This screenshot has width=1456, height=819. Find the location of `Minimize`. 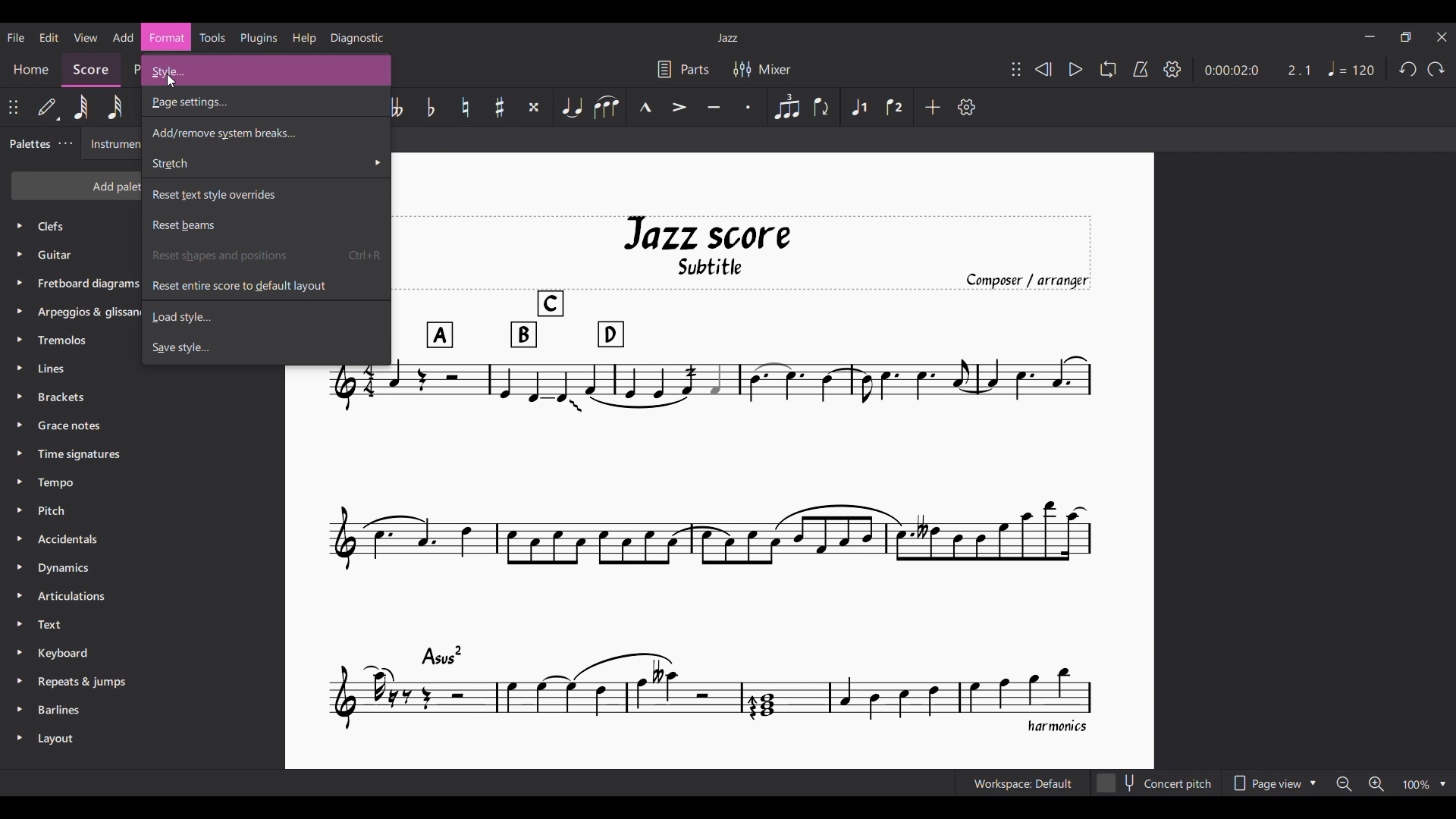

Minimize is located at coordinates (1369, 36).